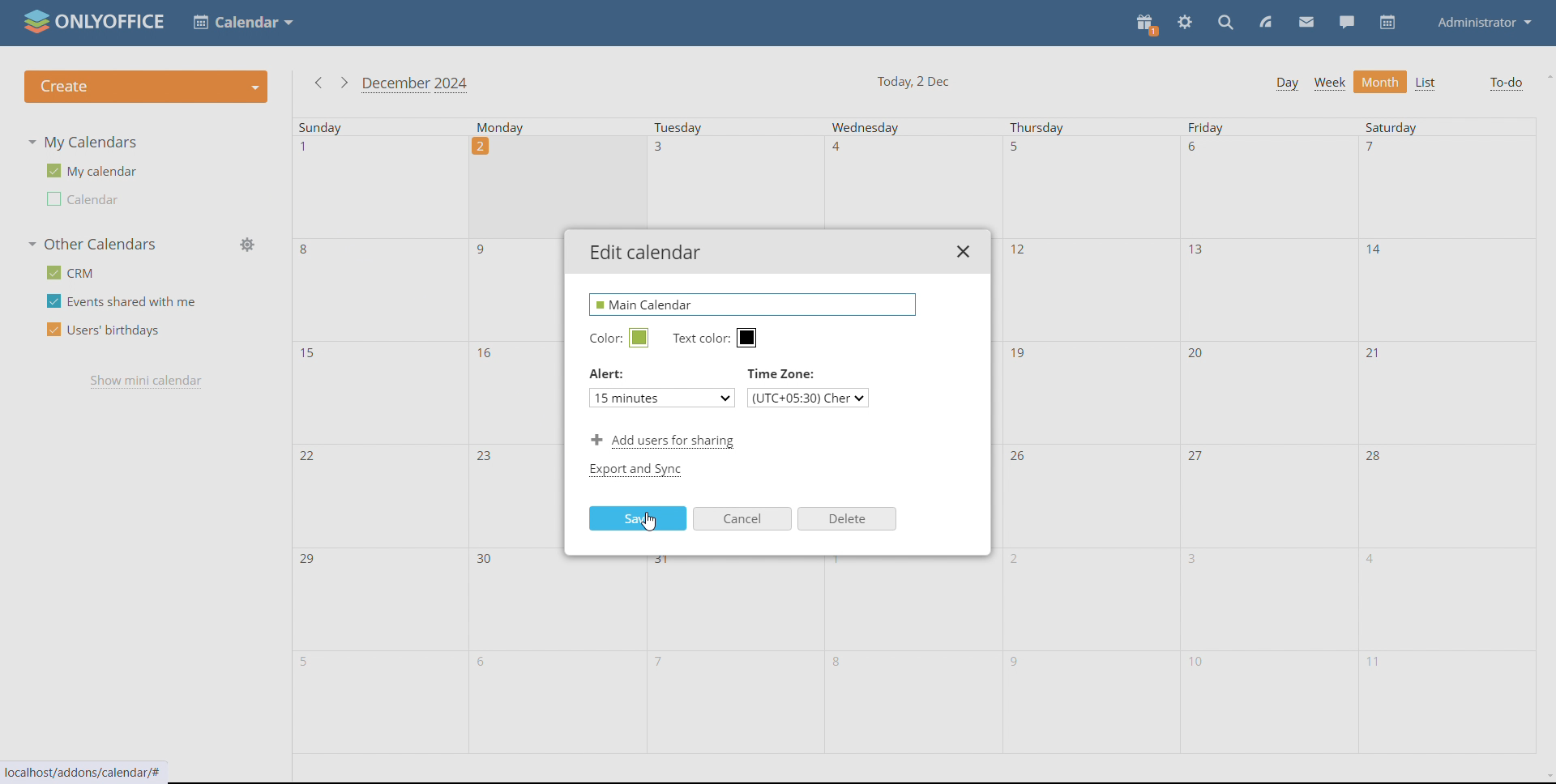 This screenshot has height=784, width=1556. Describe the element at coordinates (611, 373) in the screenshot. I see `Alert` at that location.